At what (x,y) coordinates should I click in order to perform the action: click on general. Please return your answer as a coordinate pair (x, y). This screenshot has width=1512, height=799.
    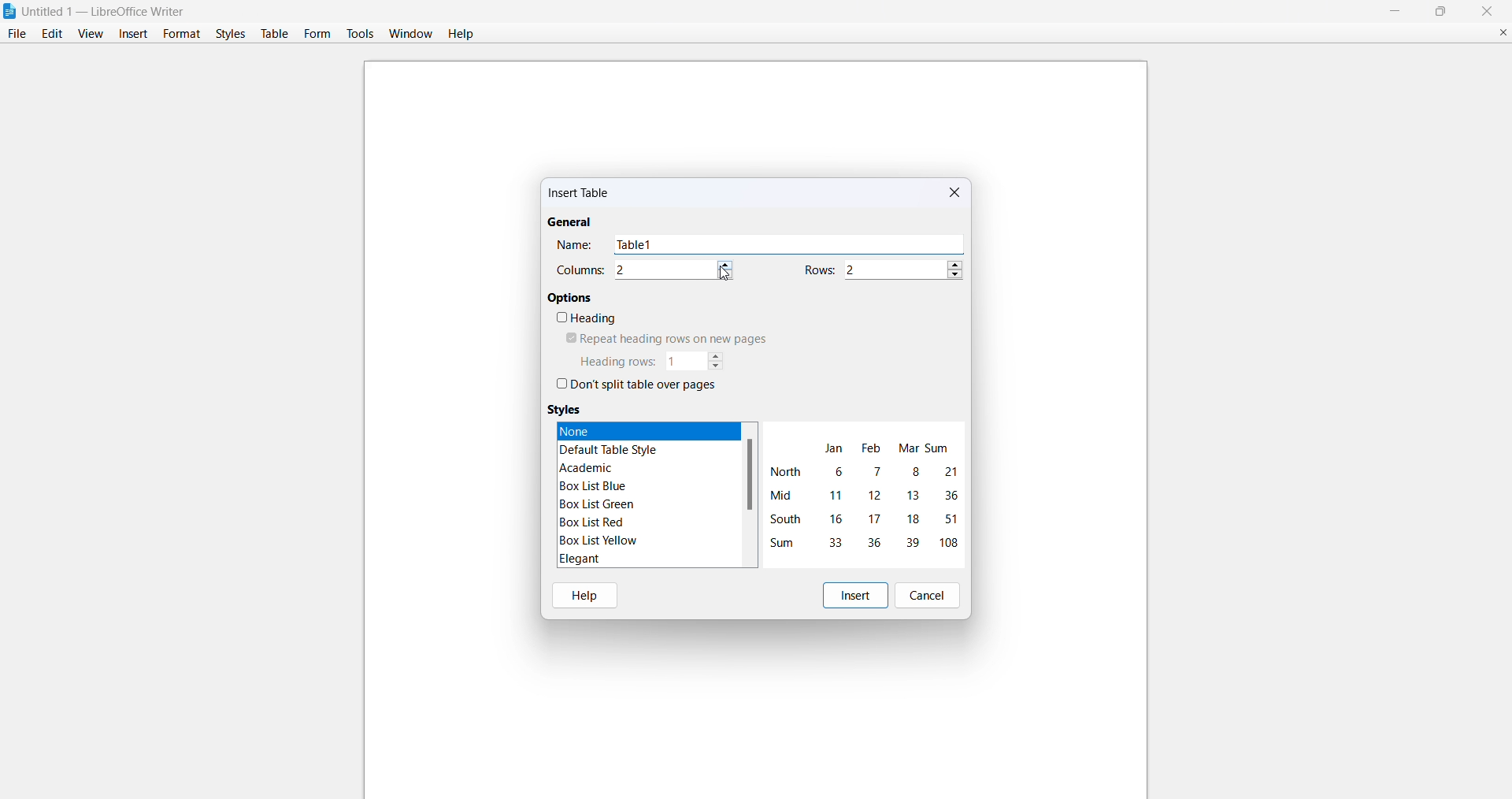
    Looking at the image, I should click on (569, 223).